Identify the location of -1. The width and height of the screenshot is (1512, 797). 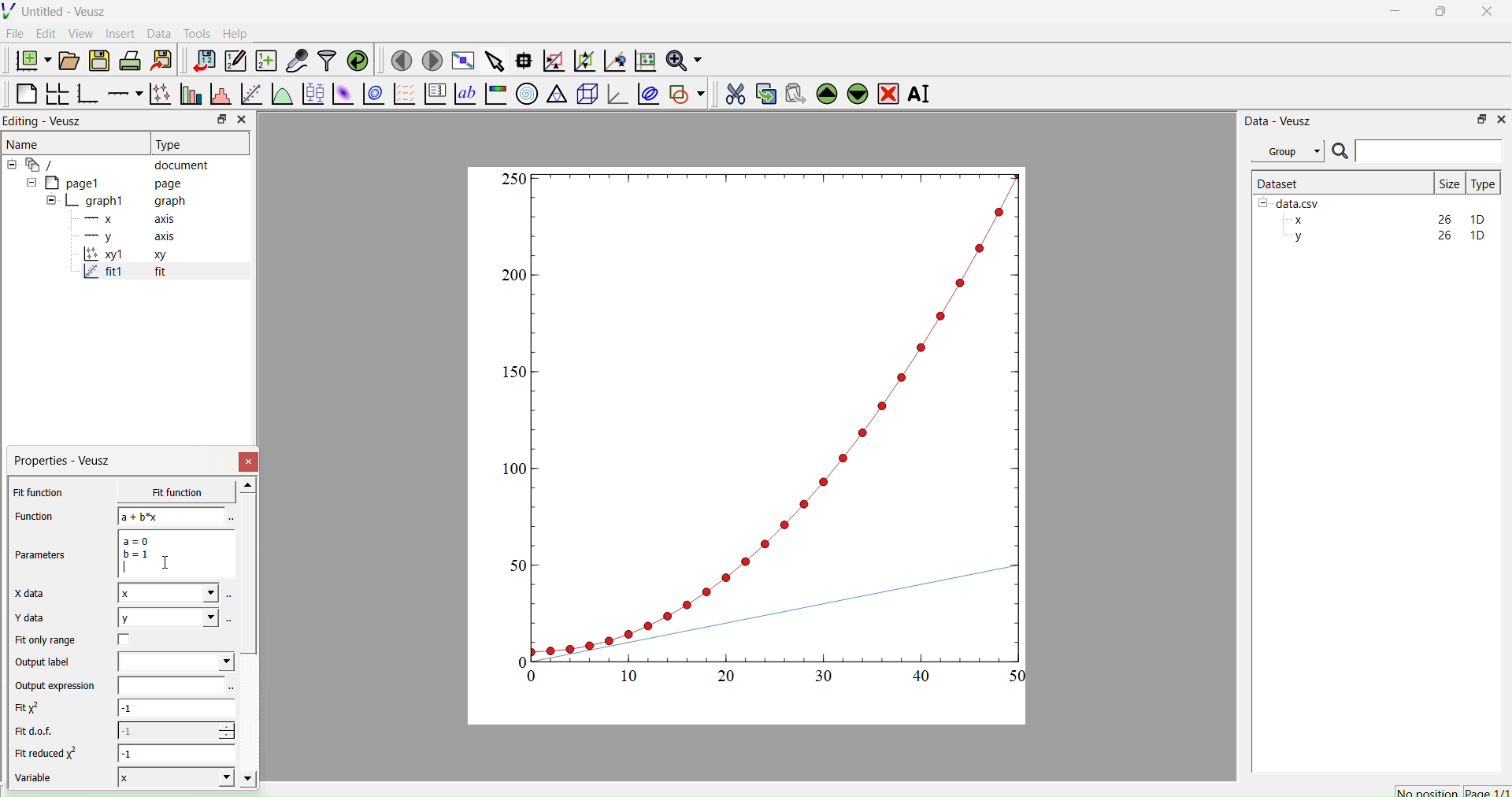
(176, 710).